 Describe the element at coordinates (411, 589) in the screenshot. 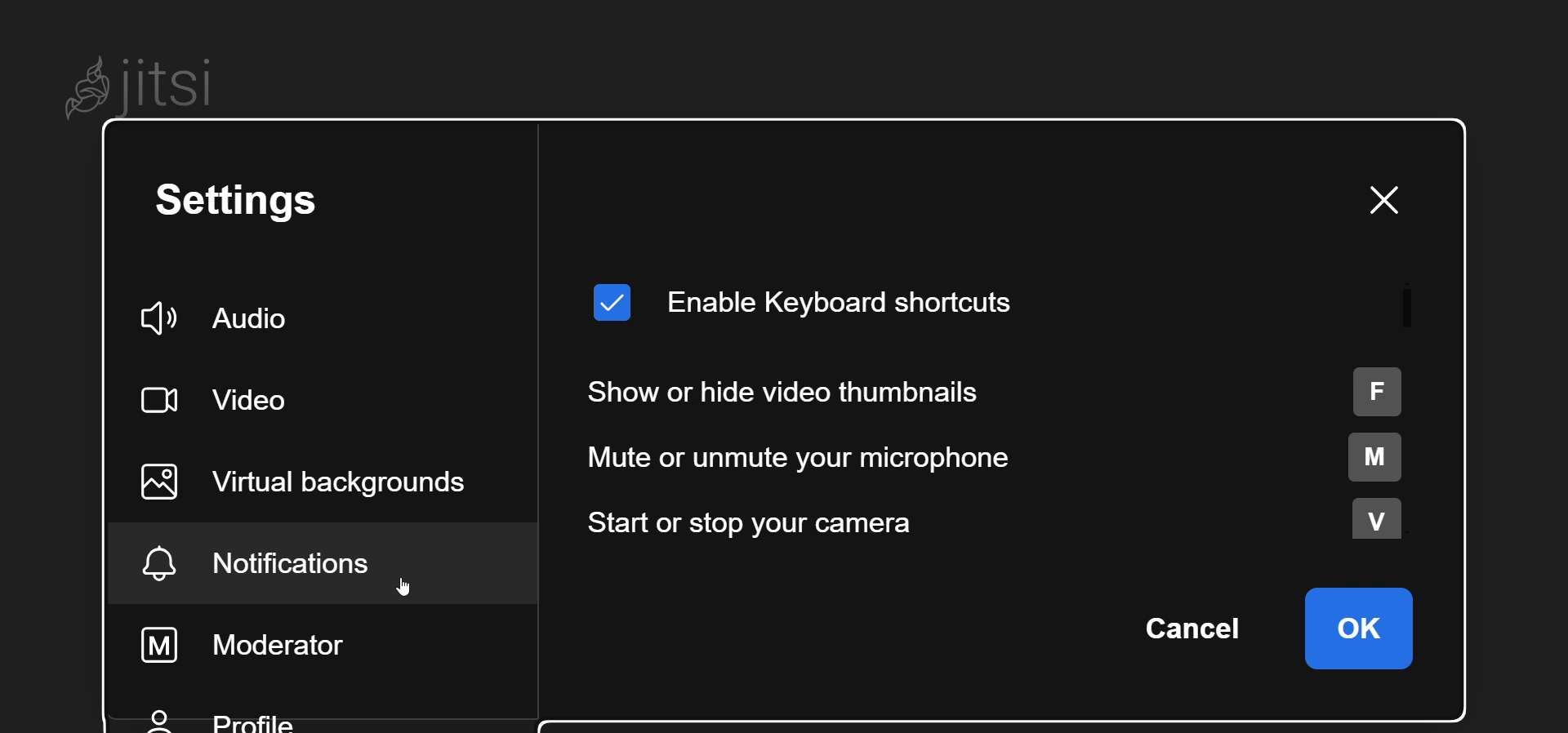

I see `cursor` at that location.